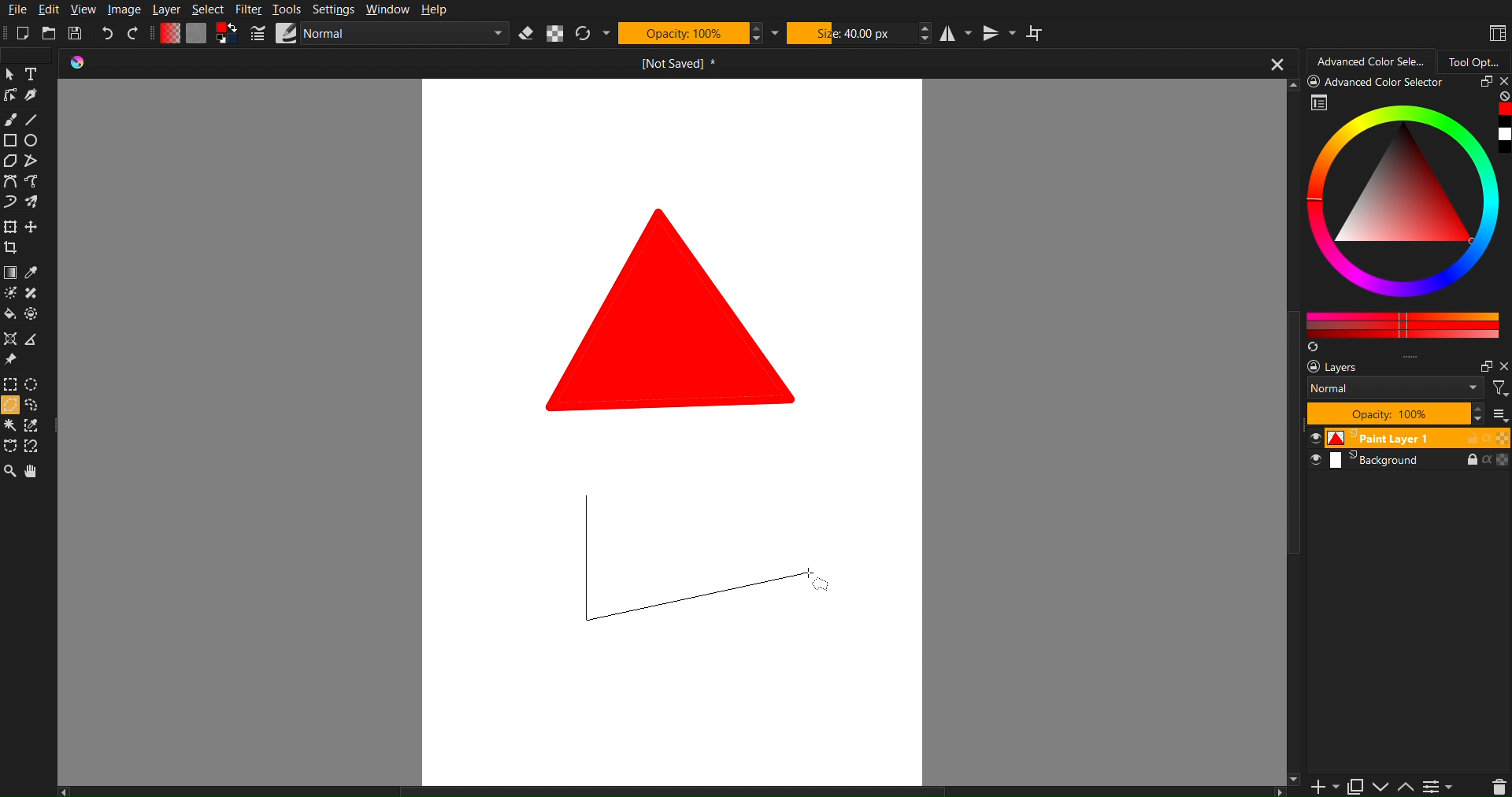  Describe the element at coordinates (33, 141) in the screenshot. I see `Circle` at that location.